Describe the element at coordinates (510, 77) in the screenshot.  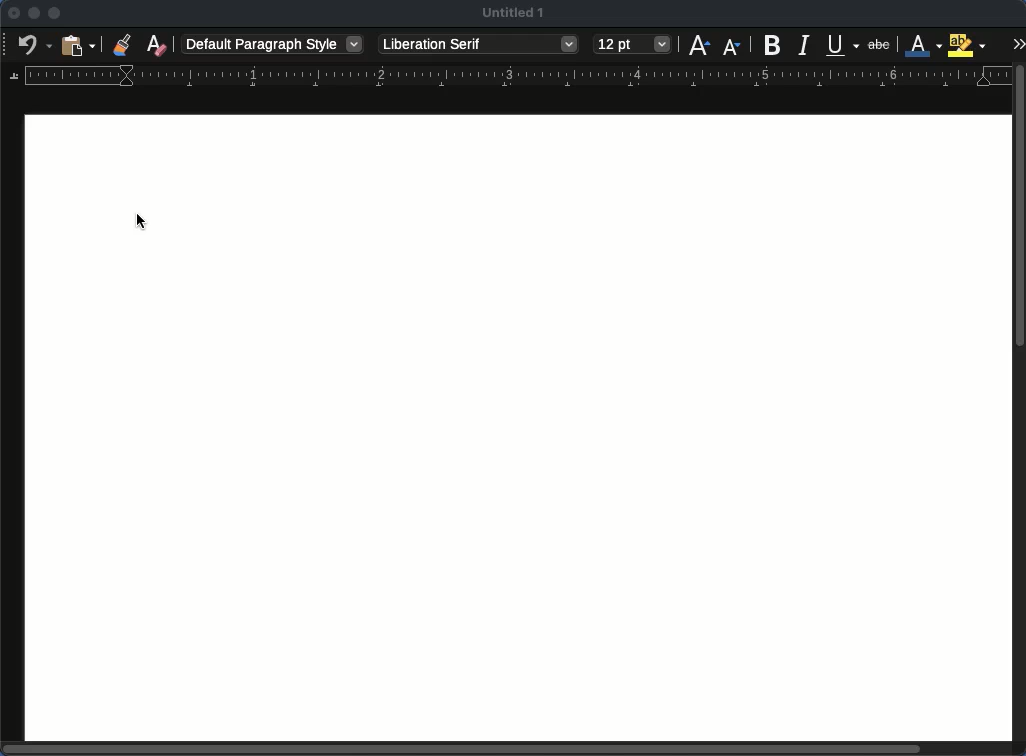
I see `margin` at that location.